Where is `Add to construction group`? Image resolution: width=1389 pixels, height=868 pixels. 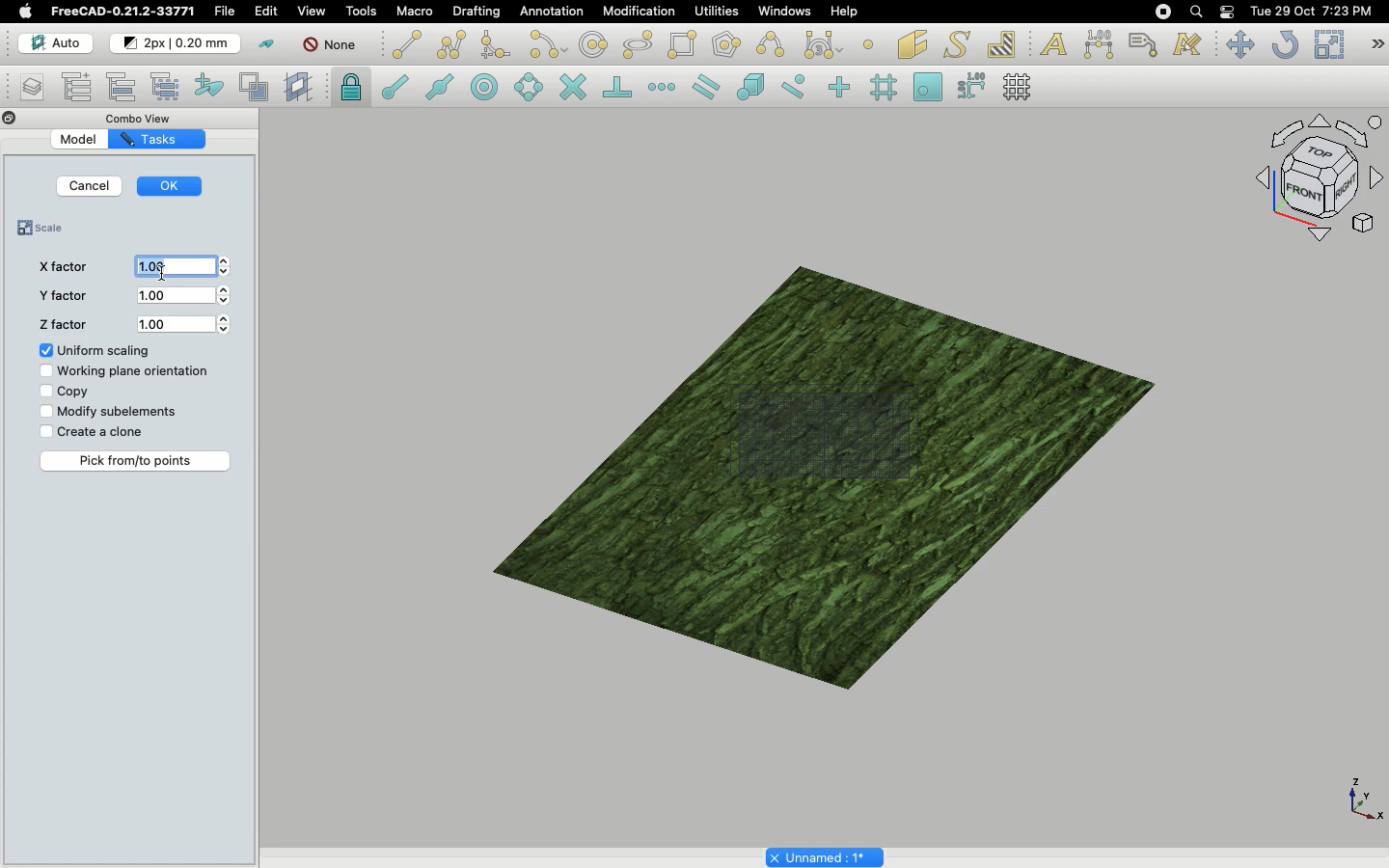
Add to construction group is located at coordinates (210, 89).